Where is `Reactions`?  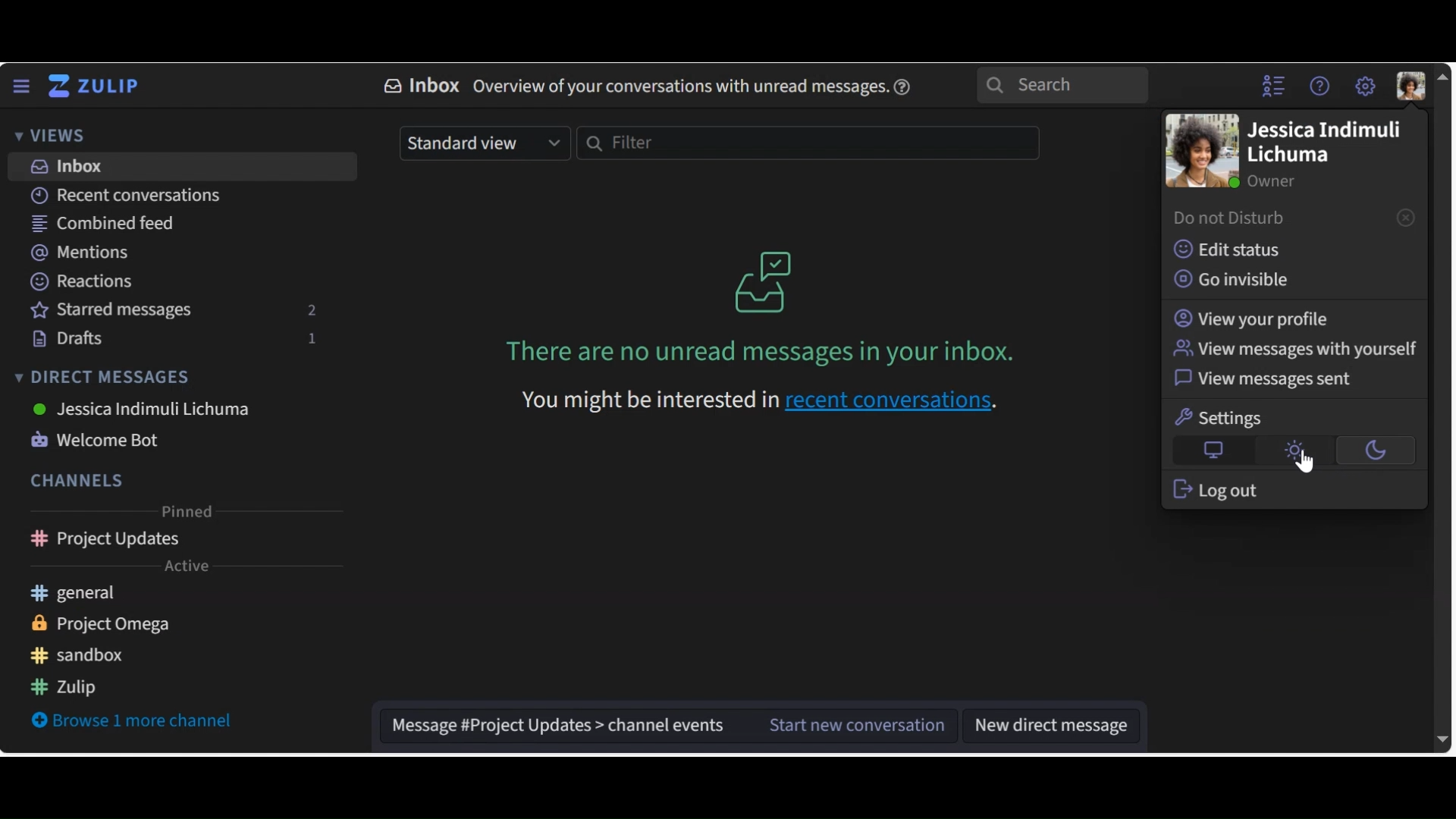 Reactions is located at coordinates (80, 280).